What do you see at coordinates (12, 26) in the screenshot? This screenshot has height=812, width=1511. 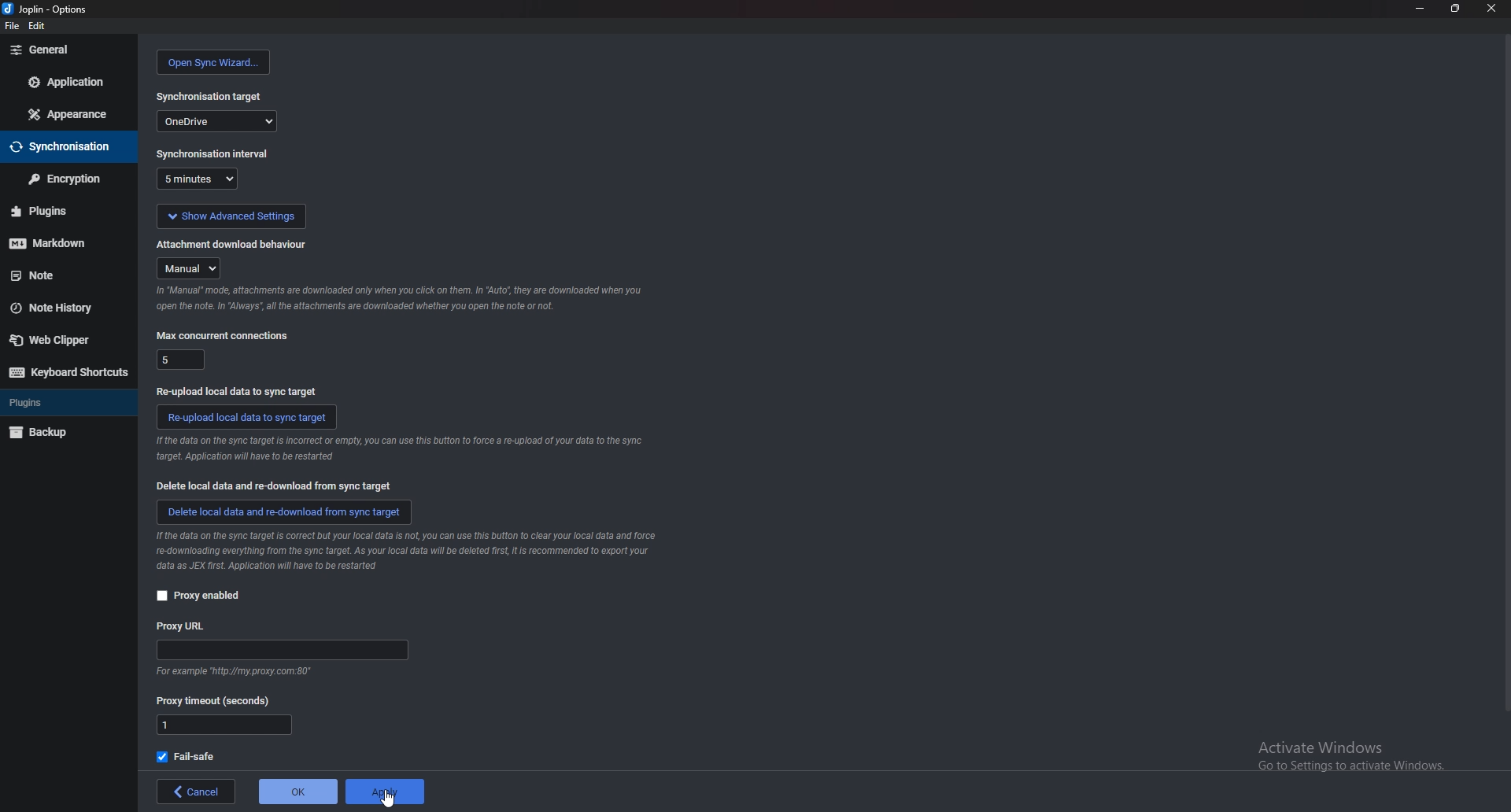 I see `file` at bounding box center [12, 26].